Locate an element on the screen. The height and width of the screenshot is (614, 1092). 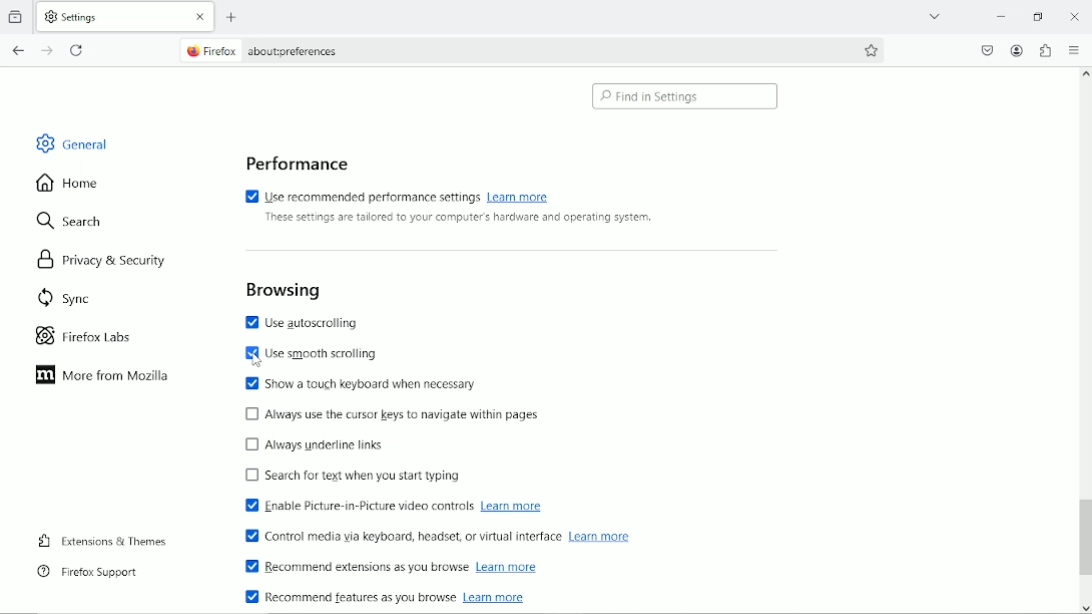
Use recommended performance settings is located at coordinates (360, 195).